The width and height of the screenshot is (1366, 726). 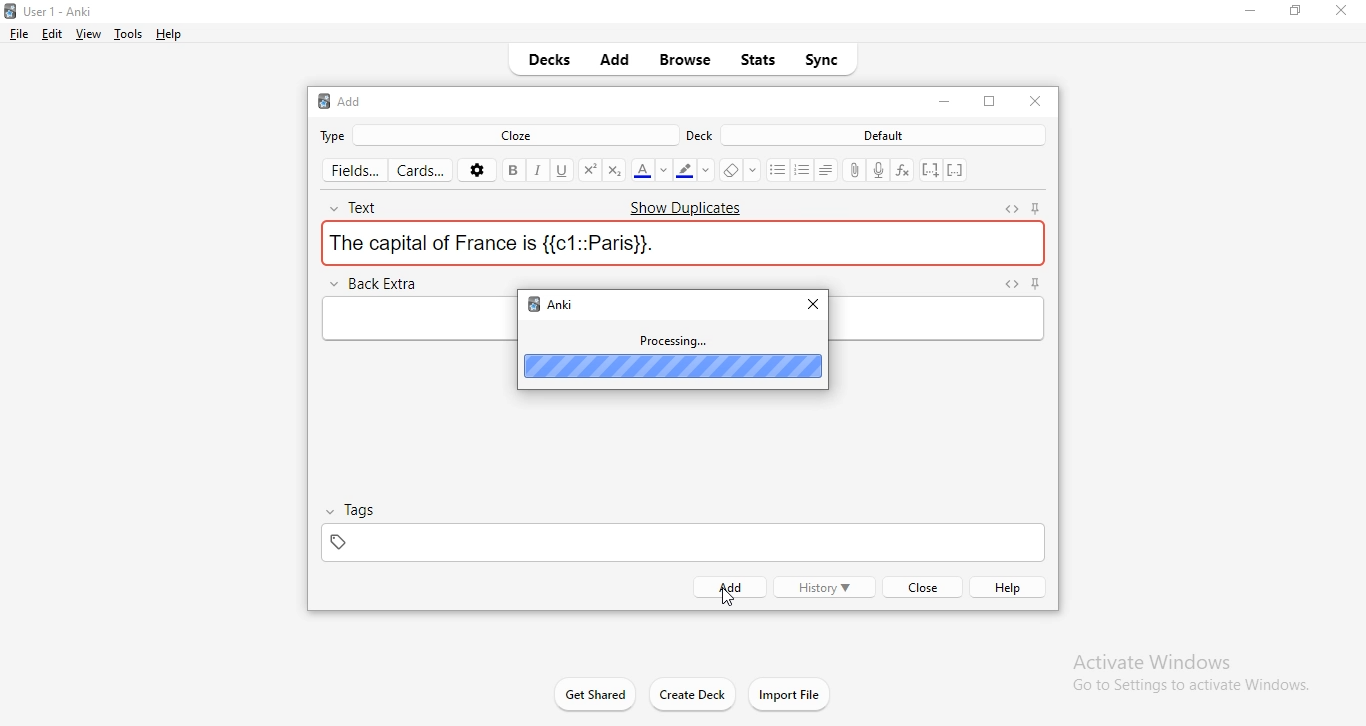 I want to click on close, so click(x=943, y=101).